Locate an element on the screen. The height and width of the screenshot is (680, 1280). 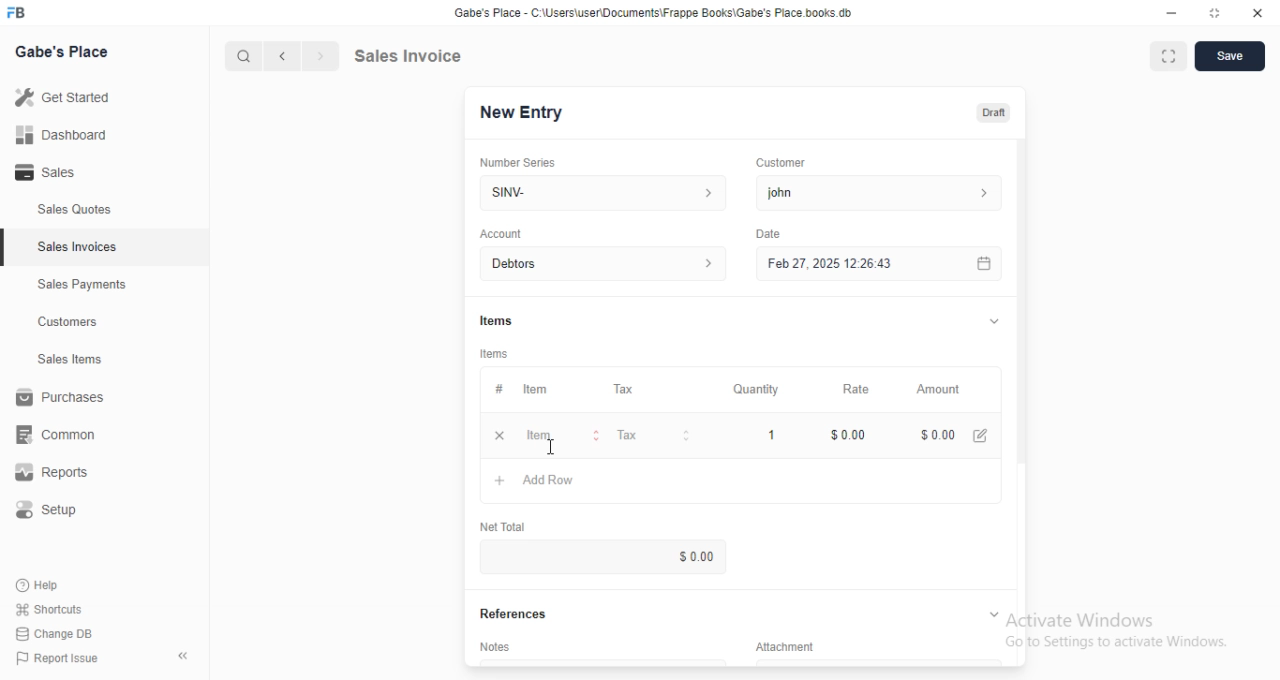
Notes is located at coordinates (494, 645).